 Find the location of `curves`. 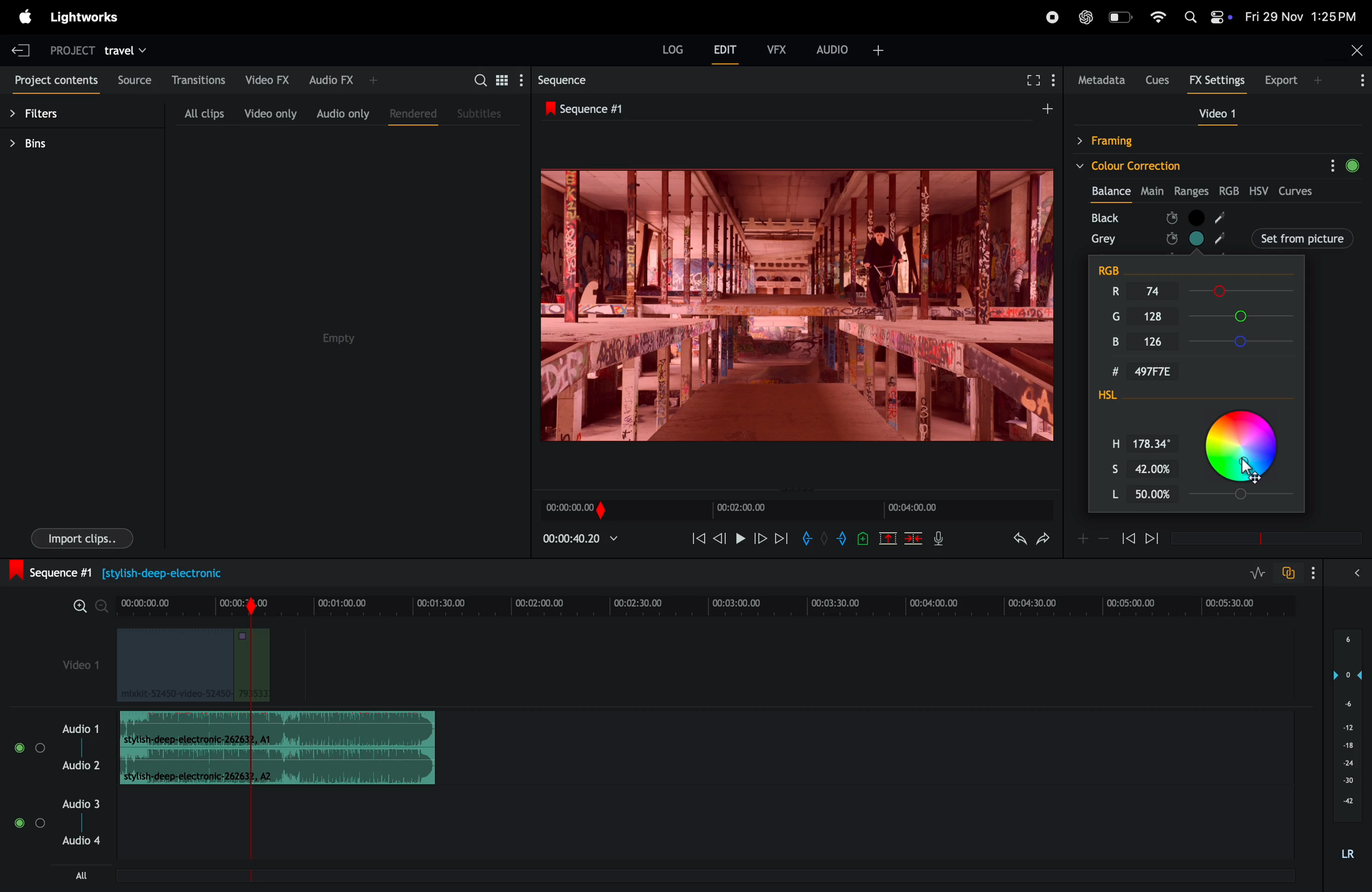

curves is located at coordinates (1299, 191).